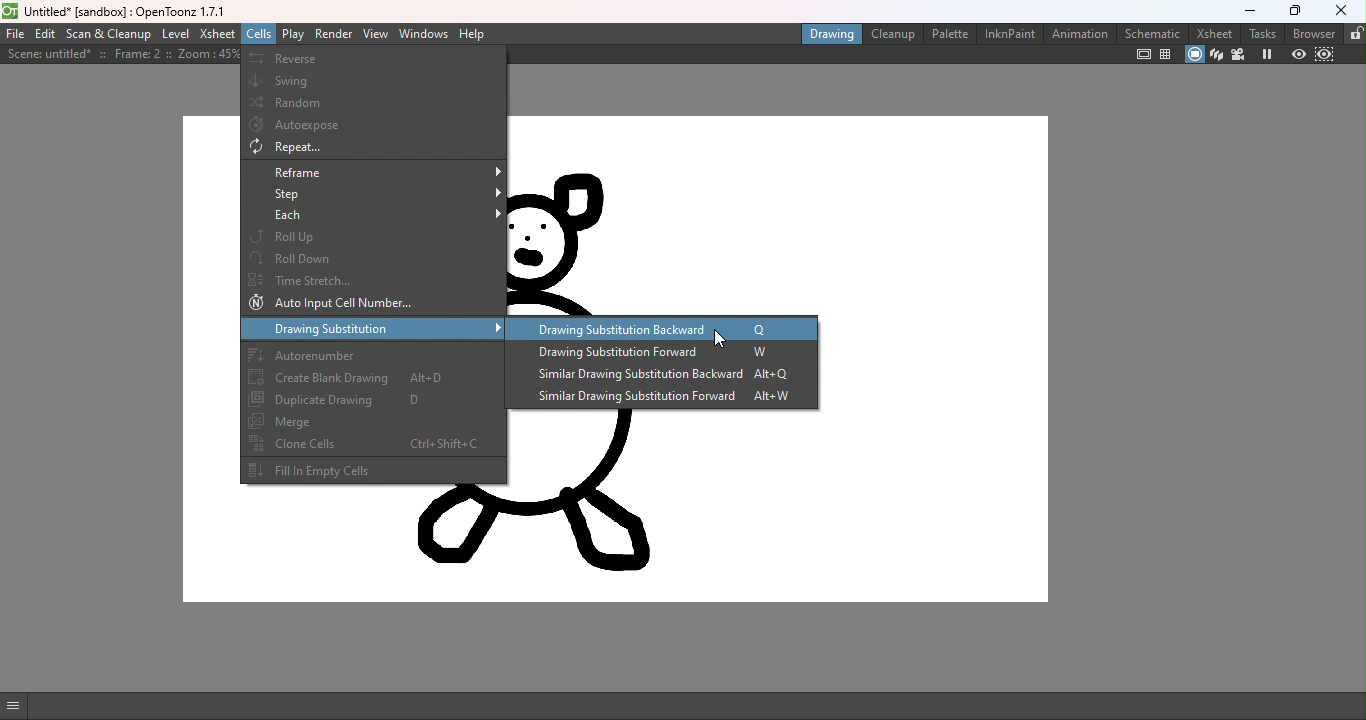 The width and height of the screenshot is (1366, 720). Describe the element at coordinates (1008, 34) in the screenshot. I see `InknPaint` at that location.